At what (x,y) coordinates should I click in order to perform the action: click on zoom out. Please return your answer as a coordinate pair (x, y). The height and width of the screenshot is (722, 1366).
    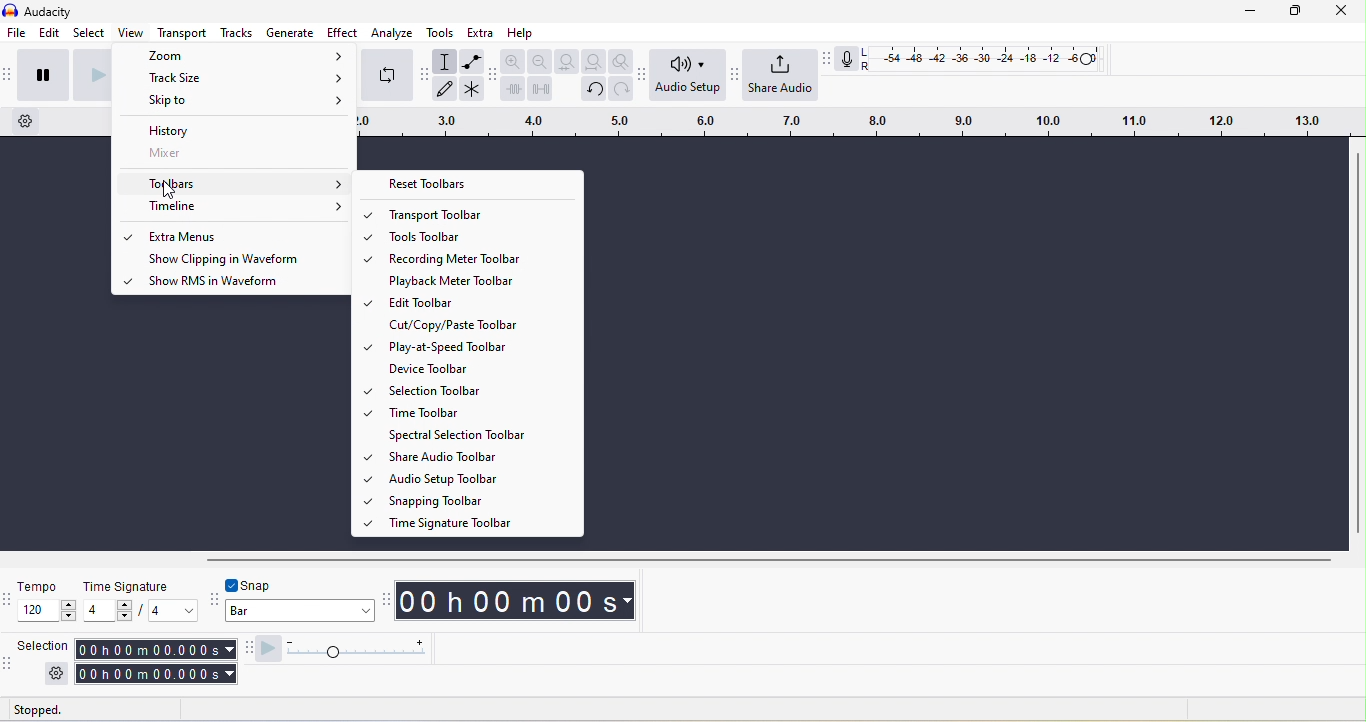
    Looking at the image, I should click on (540, 61).